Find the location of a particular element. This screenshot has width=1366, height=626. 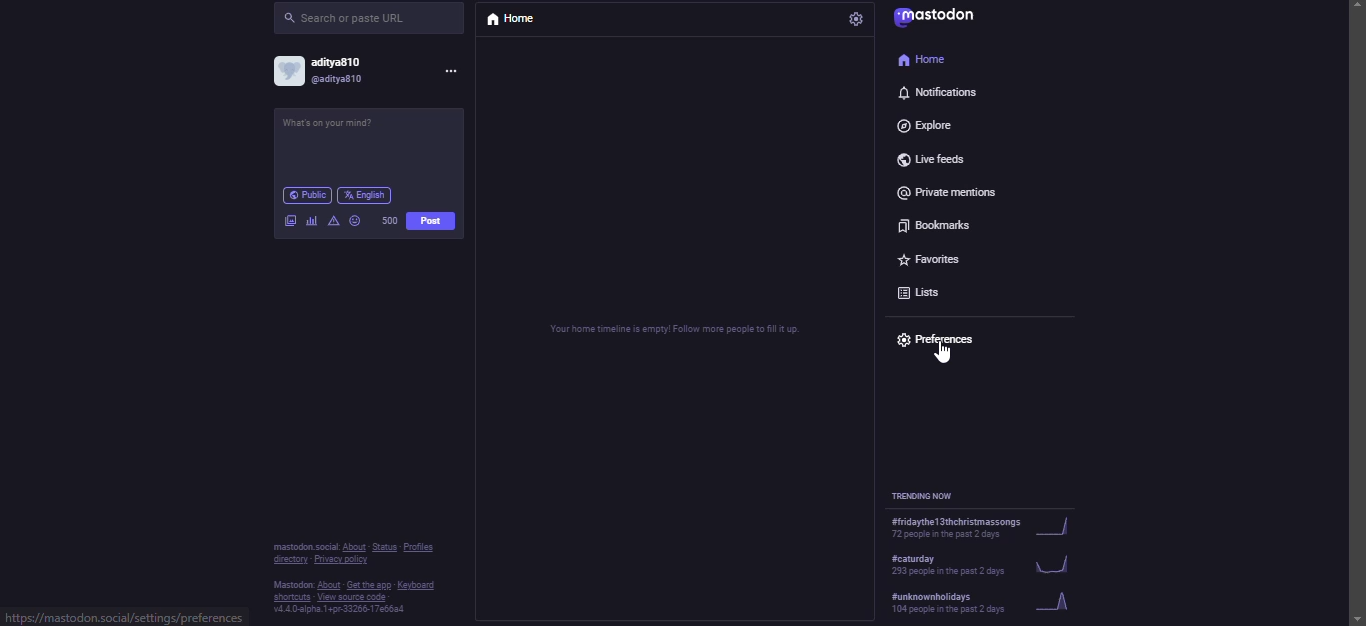

bookmarks is located at coordinates (936, 224).